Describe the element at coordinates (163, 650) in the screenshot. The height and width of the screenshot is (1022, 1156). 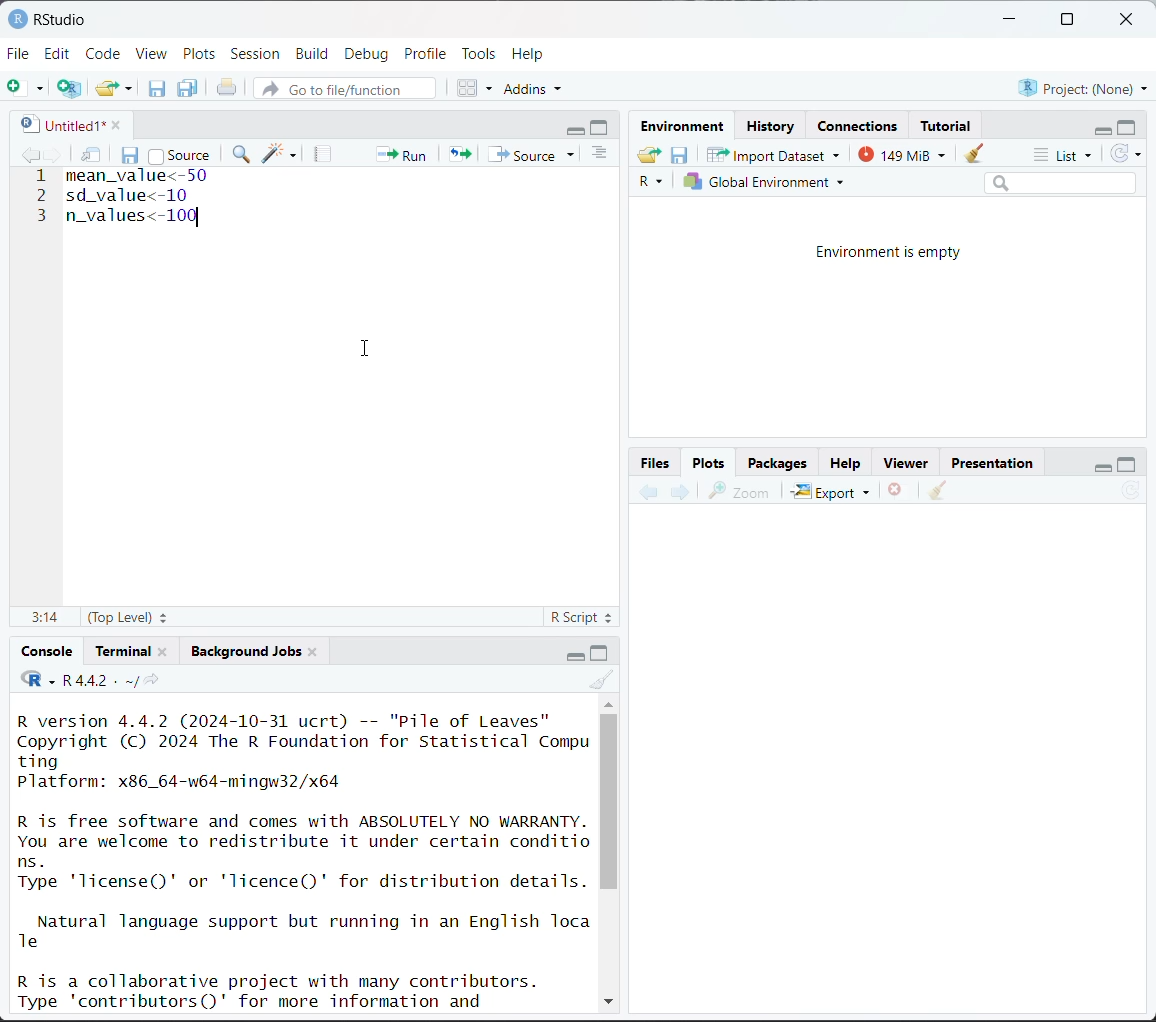
I see `close` at that location.